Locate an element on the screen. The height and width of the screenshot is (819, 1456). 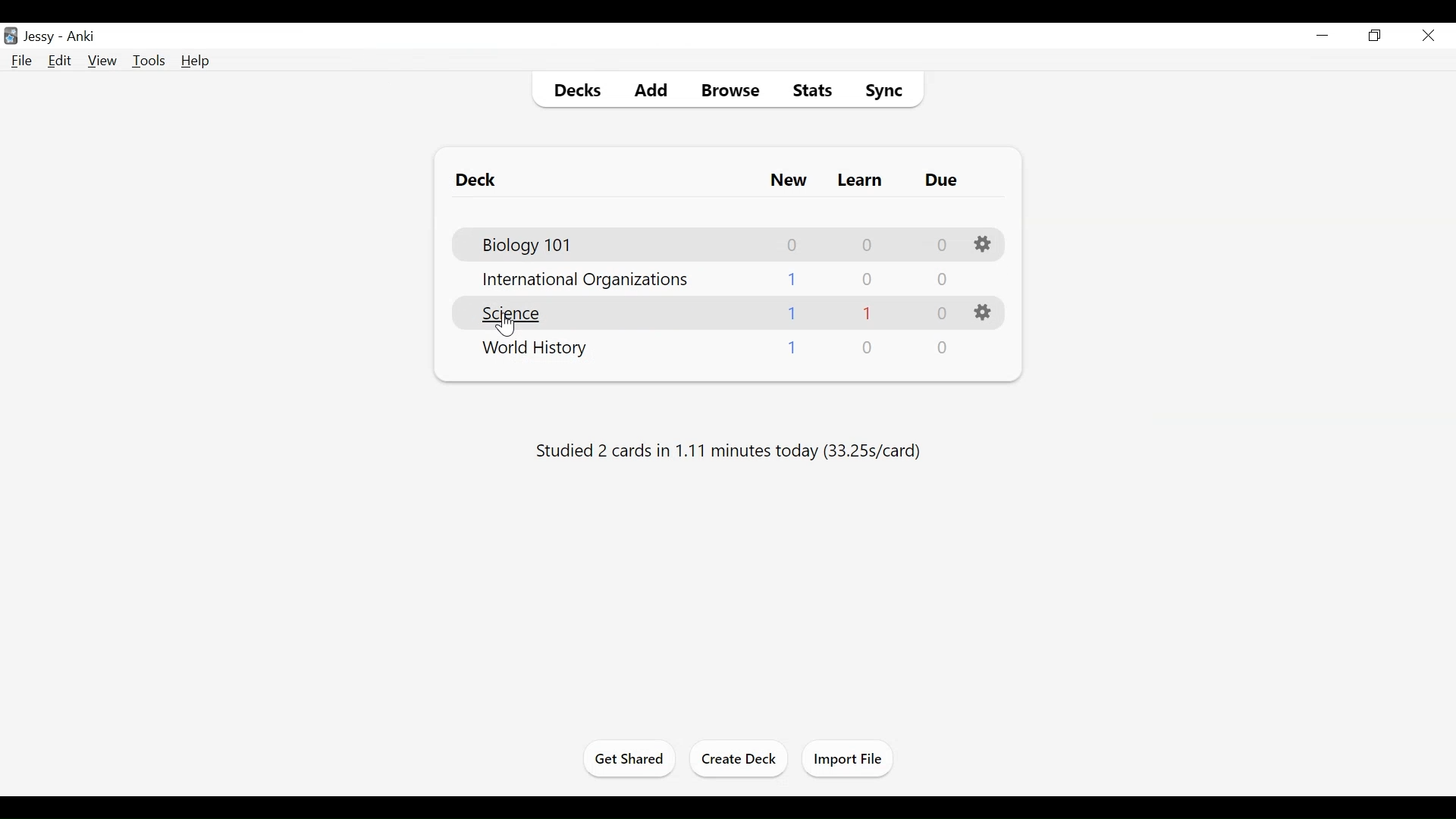
New Cards is located at coordinates (786, 181).